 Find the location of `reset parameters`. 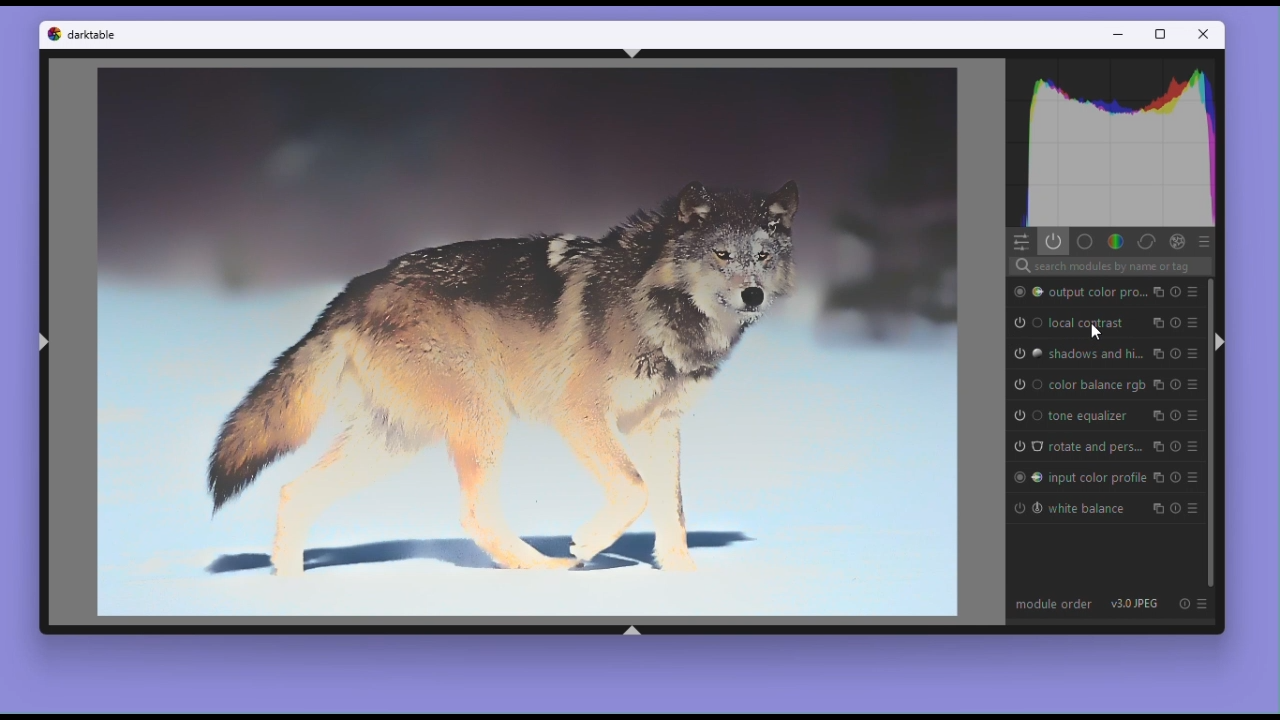

reset parameters is located at coordinates (1174, 385).